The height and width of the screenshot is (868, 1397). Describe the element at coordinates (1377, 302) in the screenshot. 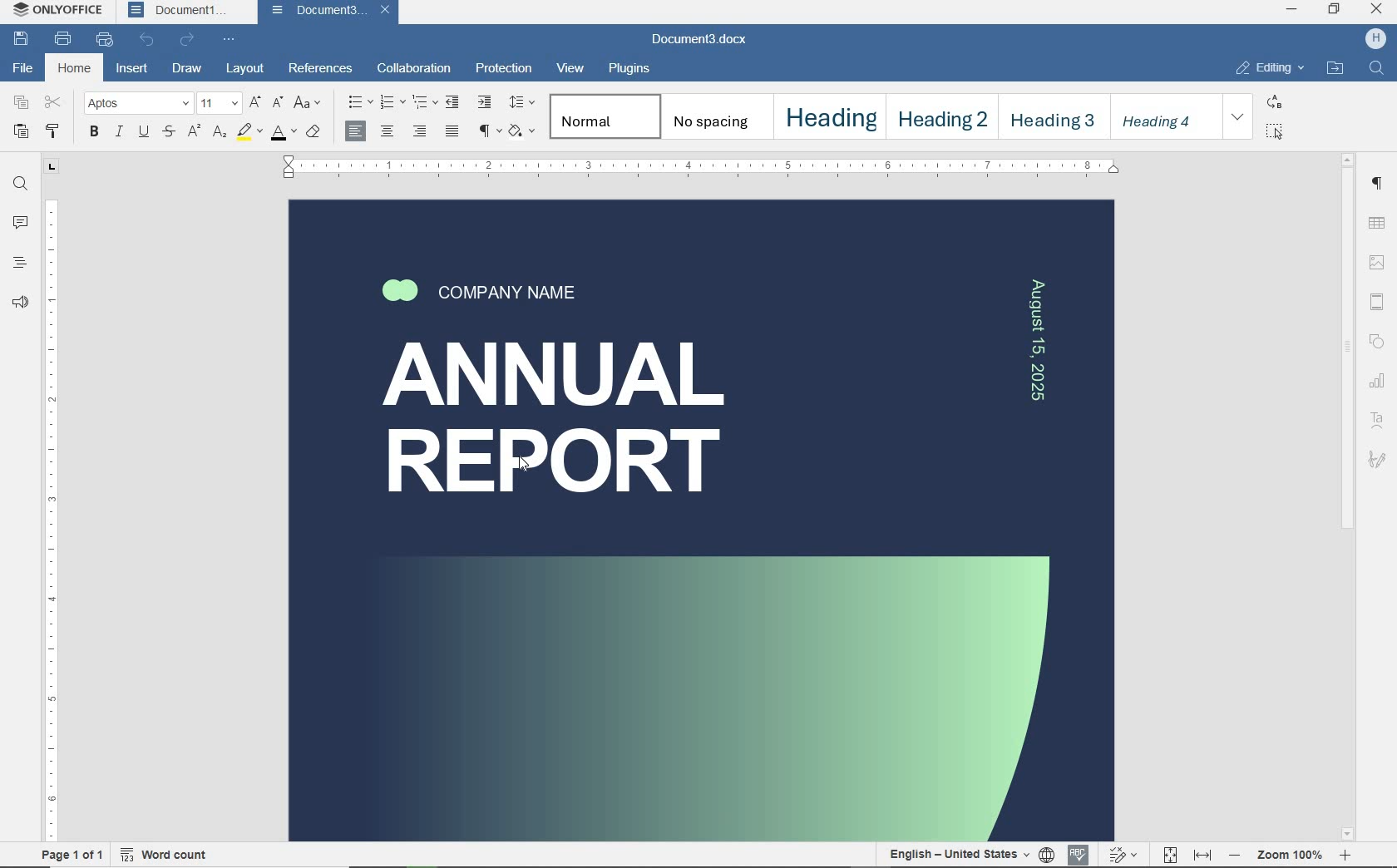

I see `header & footer` at that location.